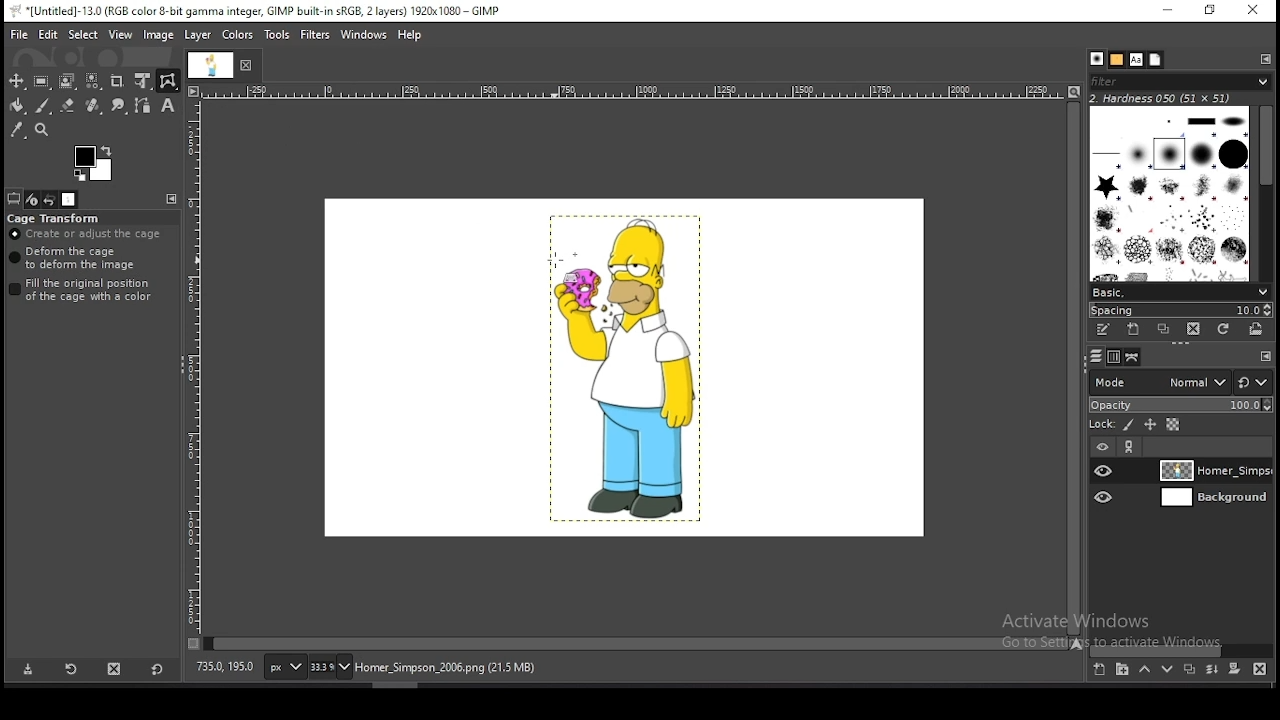 This screenshot has height=720, width=1280. Describe the element at coordinates (83, 34) in the screenshot. I see `select` at that location.